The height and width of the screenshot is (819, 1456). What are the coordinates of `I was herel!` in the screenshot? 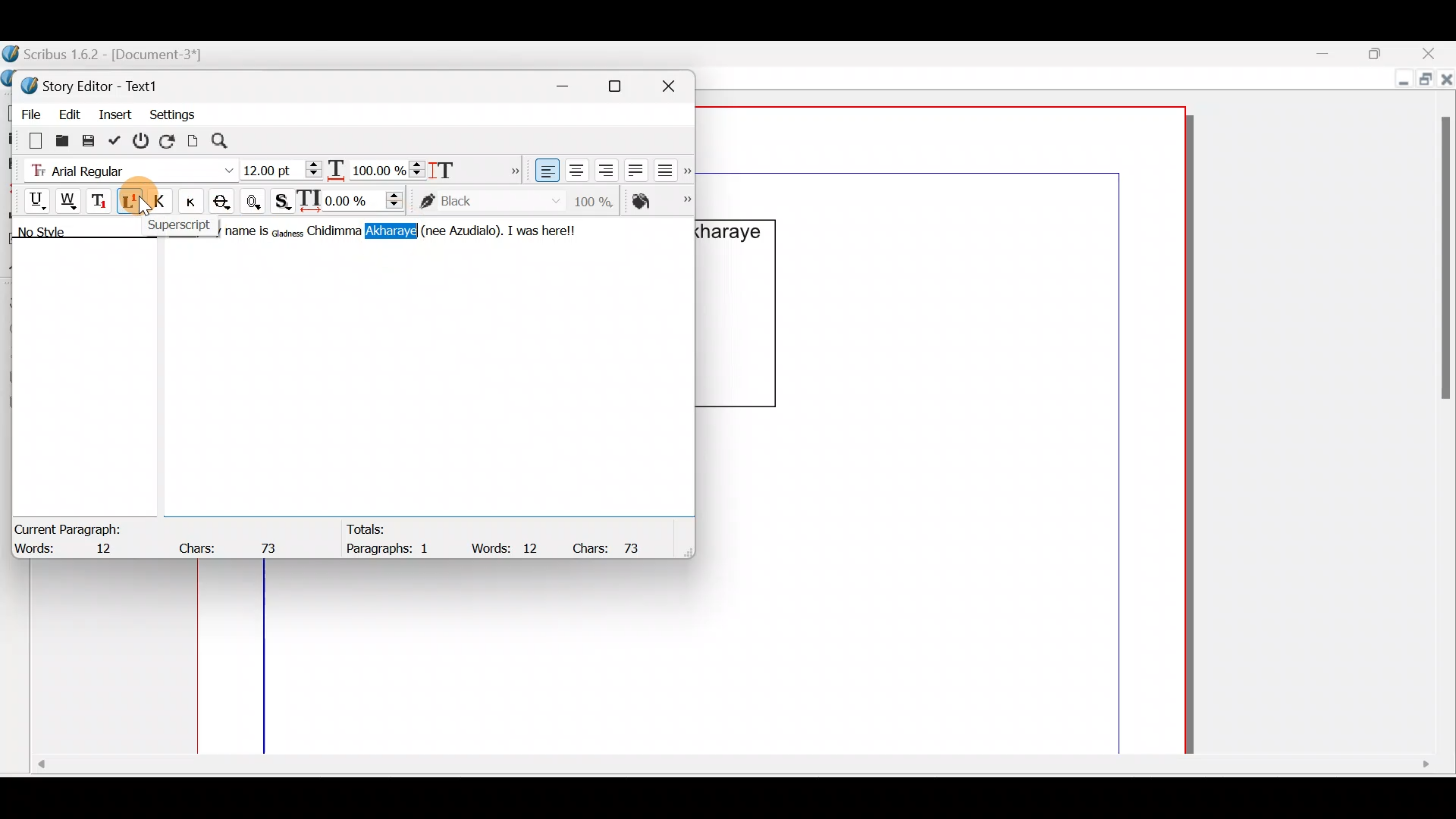 It's located at (554, 229).